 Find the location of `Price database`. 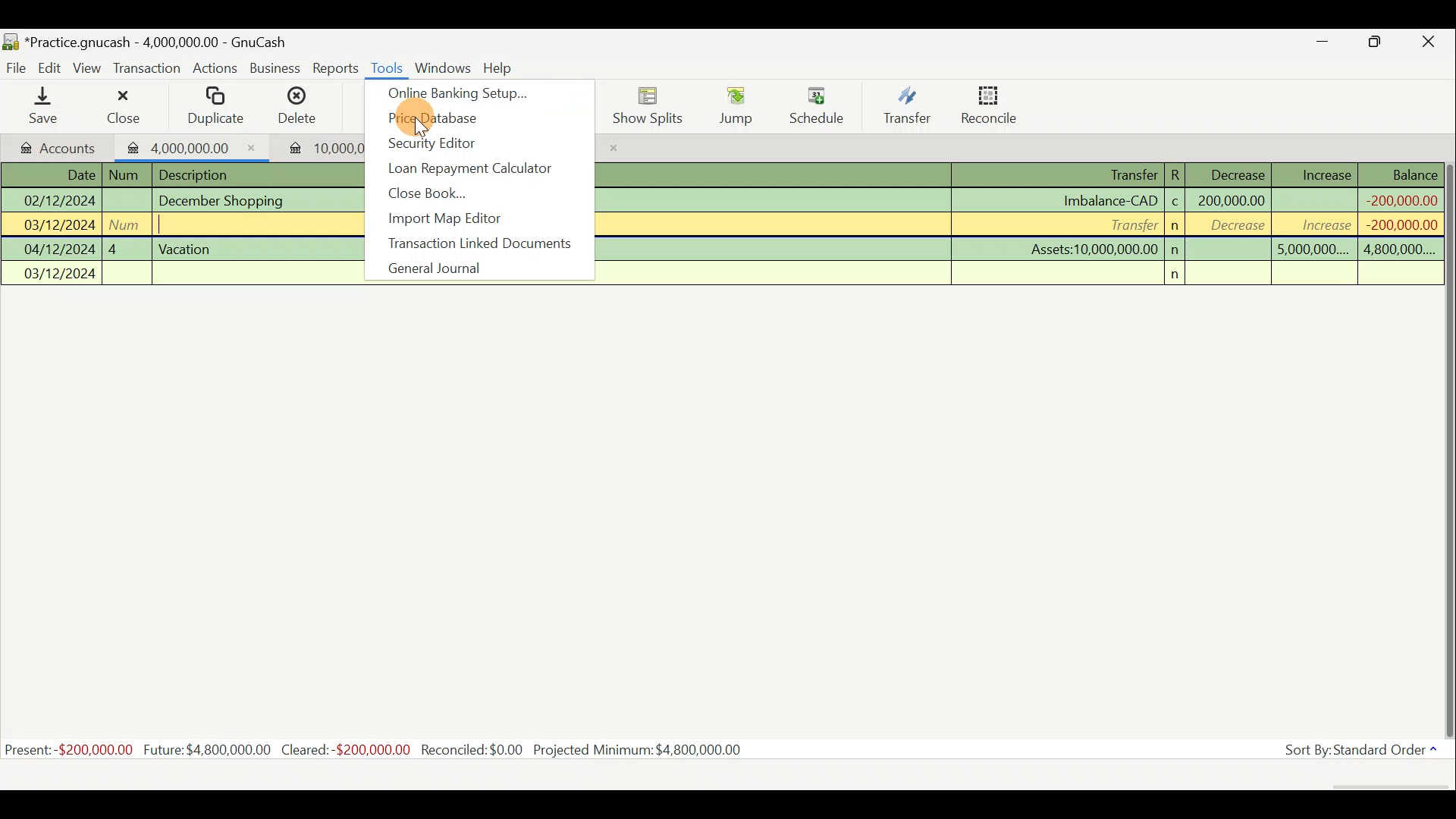

Price database is located at coordinates (451, 118).